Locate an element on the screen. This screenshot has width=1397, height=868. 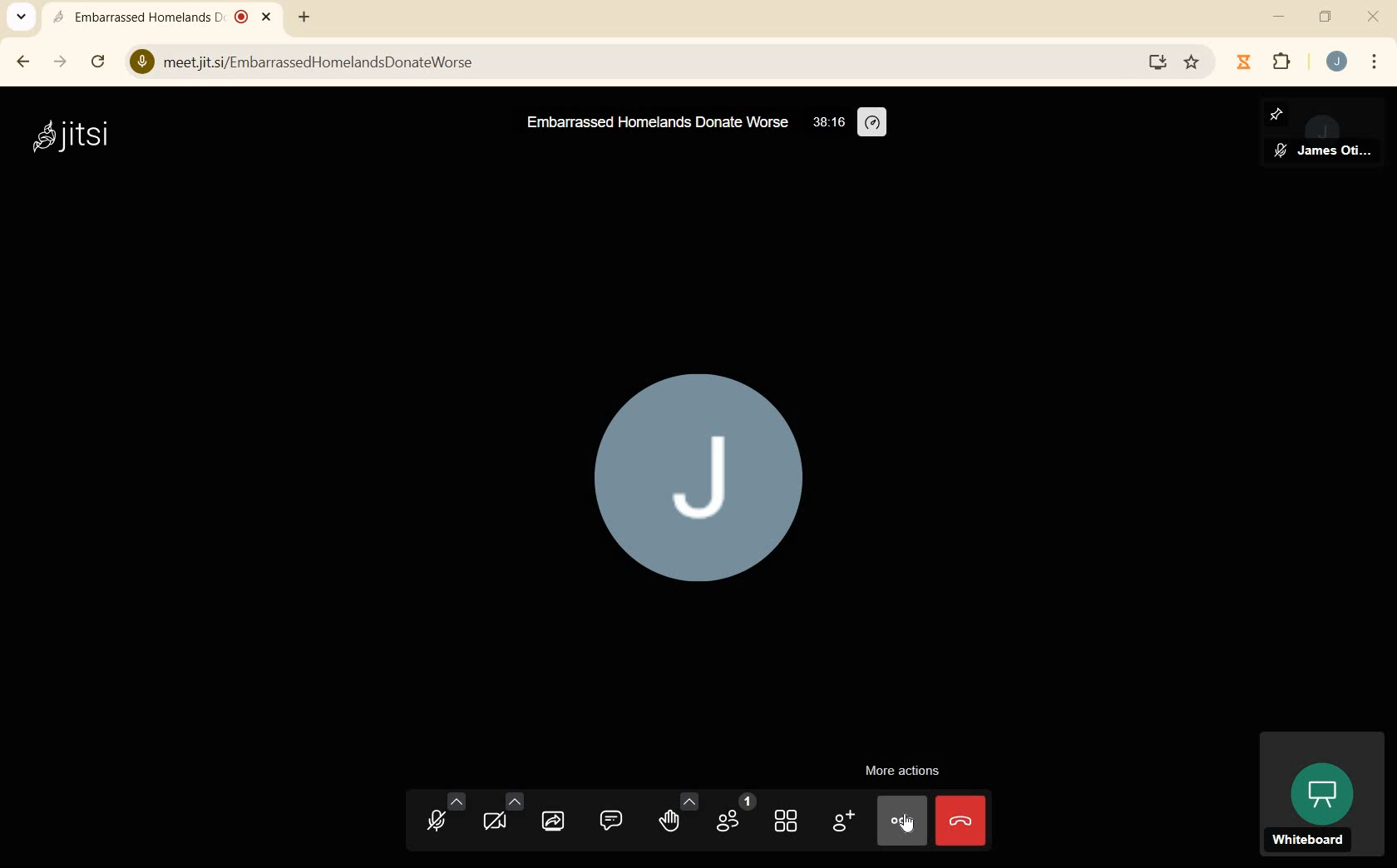
leave meeting is located at coordinates (960, 820).